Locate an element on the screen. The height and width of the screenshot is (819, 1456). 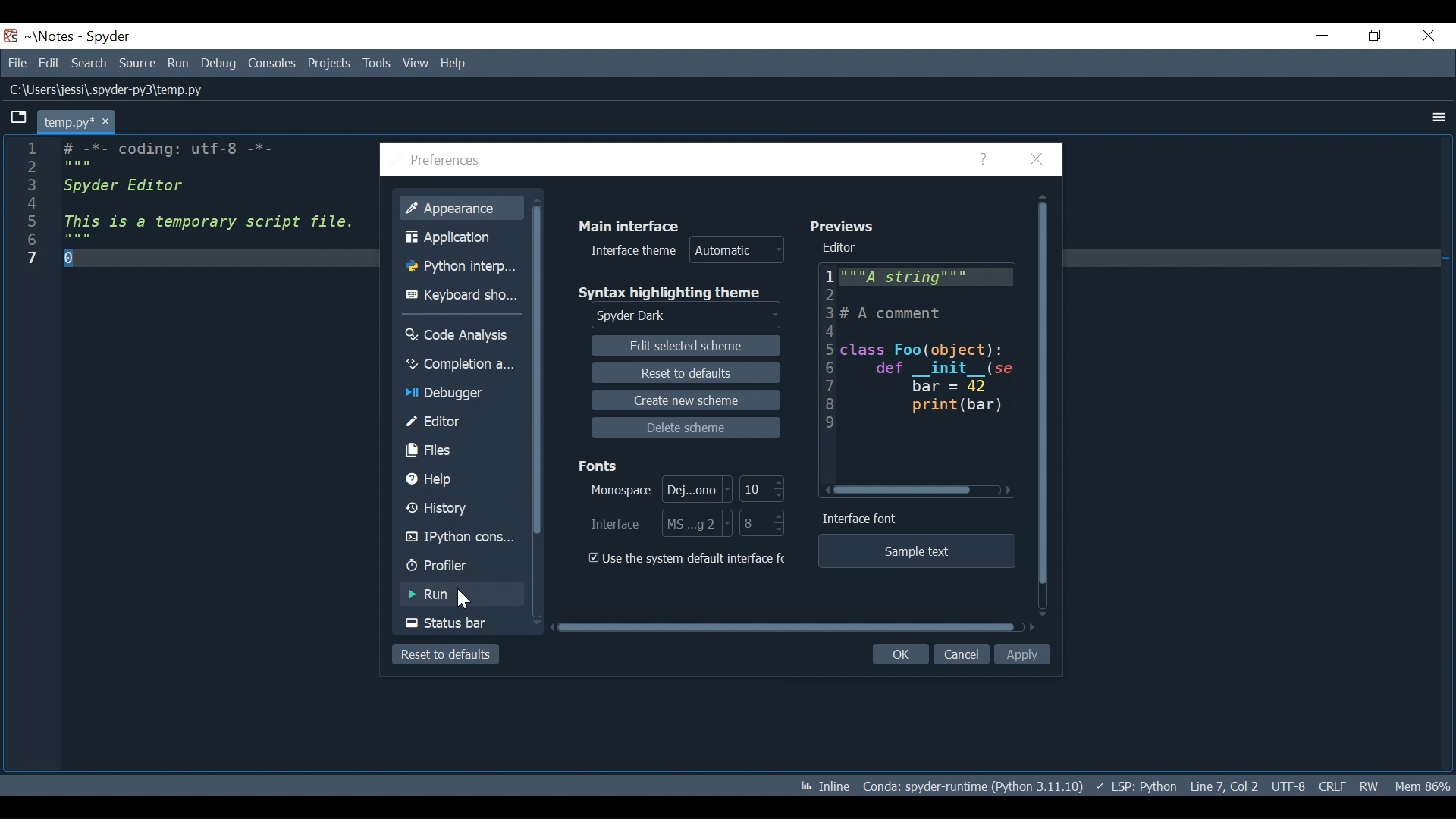
Reset to defaults is located at coordinates (691, 374).